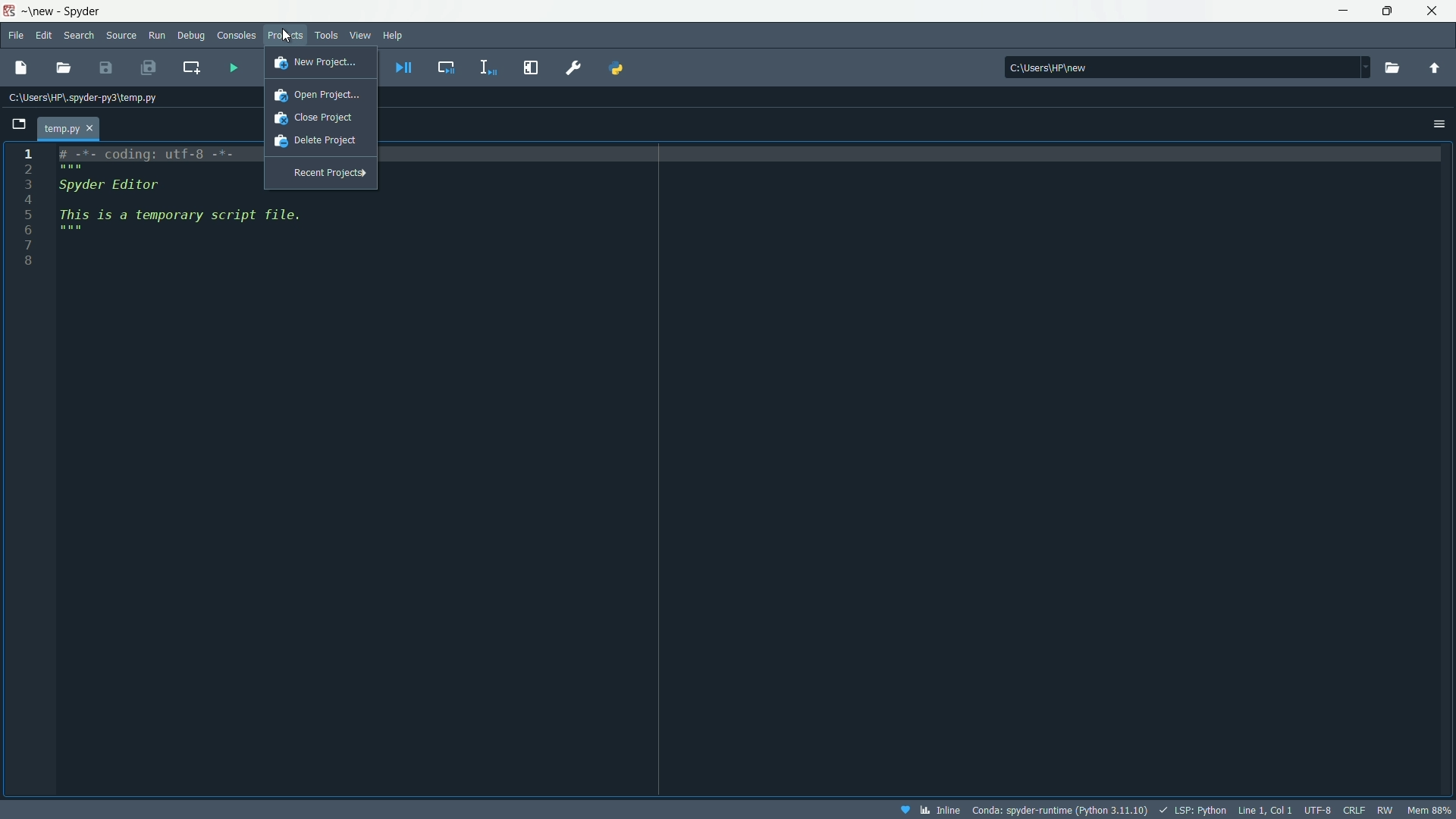 This screenshot has height=819, width=1456. Describe the element at coordinates (1319, 810) in the screenshot. I see `UTF-8` at that location.